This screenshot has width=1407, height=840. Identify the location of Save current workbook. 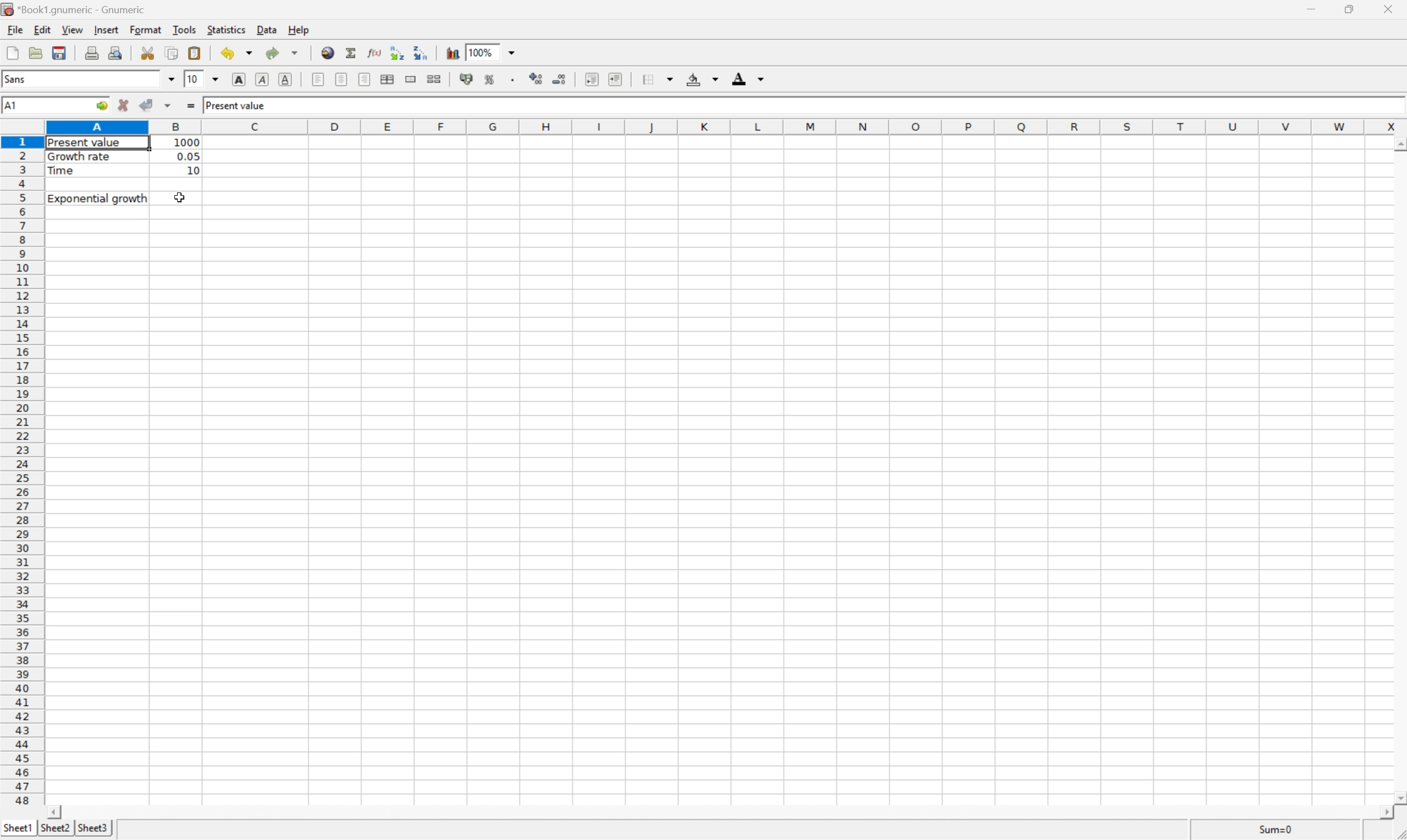
(61, 50).